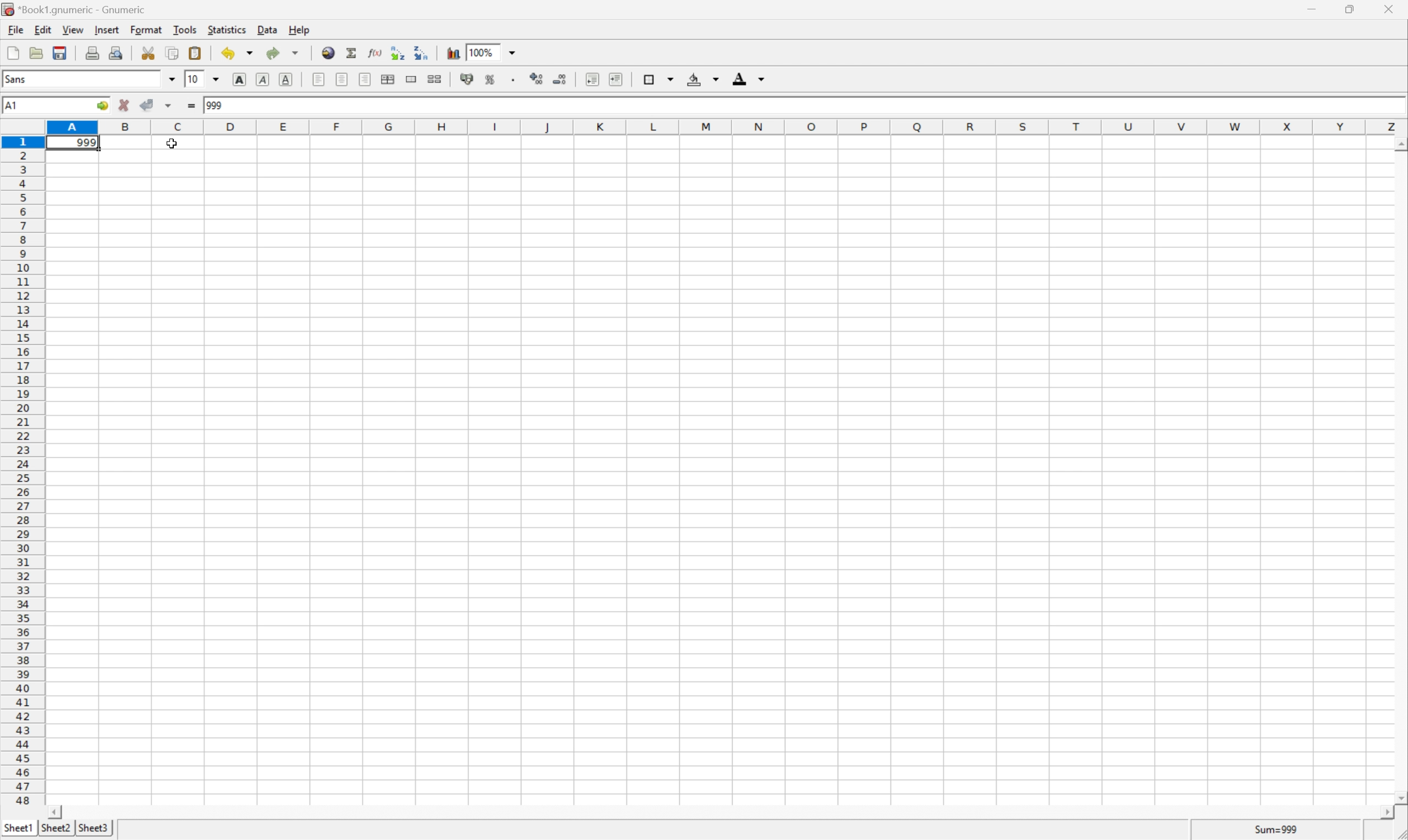 Image resolution: width=1408 pixels, height=840 pixels. What do you see at coordinates (390, 80) in the screenshot?
I see `center horizontally across selection` at bounding box center [390, 80].